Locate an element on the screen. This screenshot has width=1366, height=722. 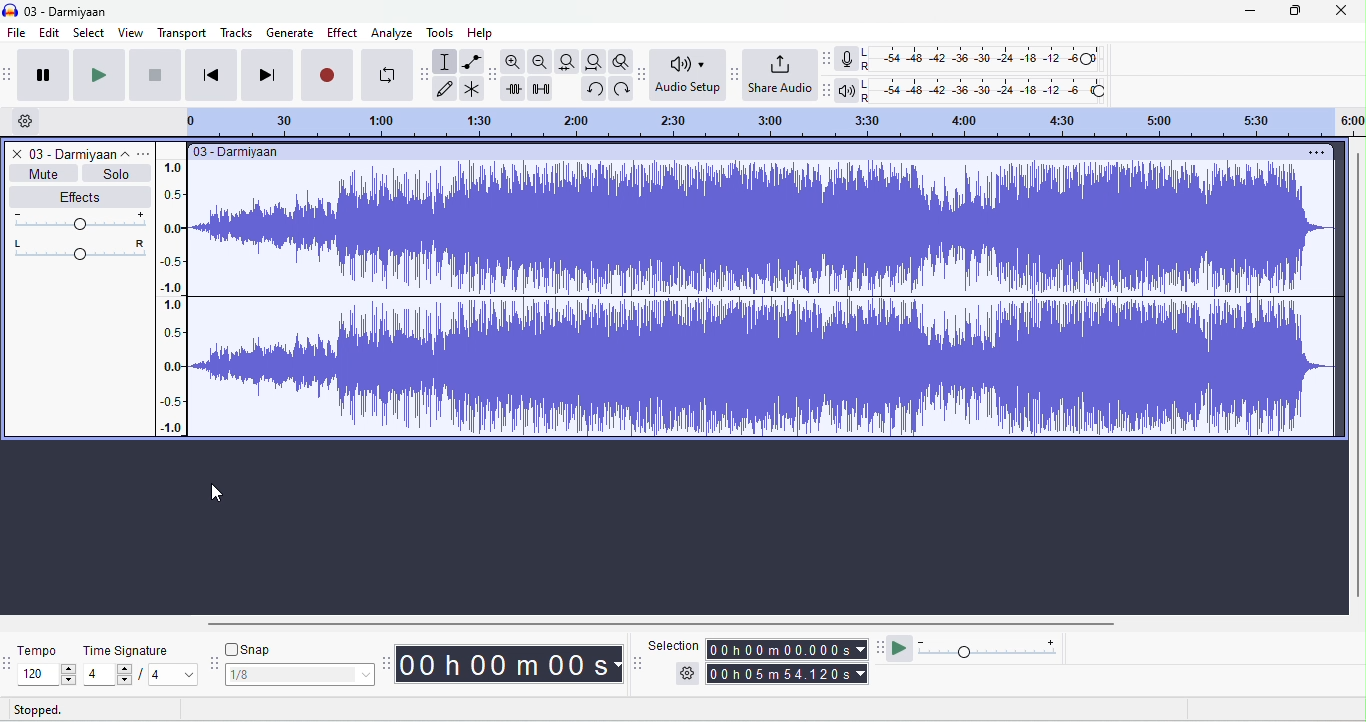
title is located at coordinates (236, 151).